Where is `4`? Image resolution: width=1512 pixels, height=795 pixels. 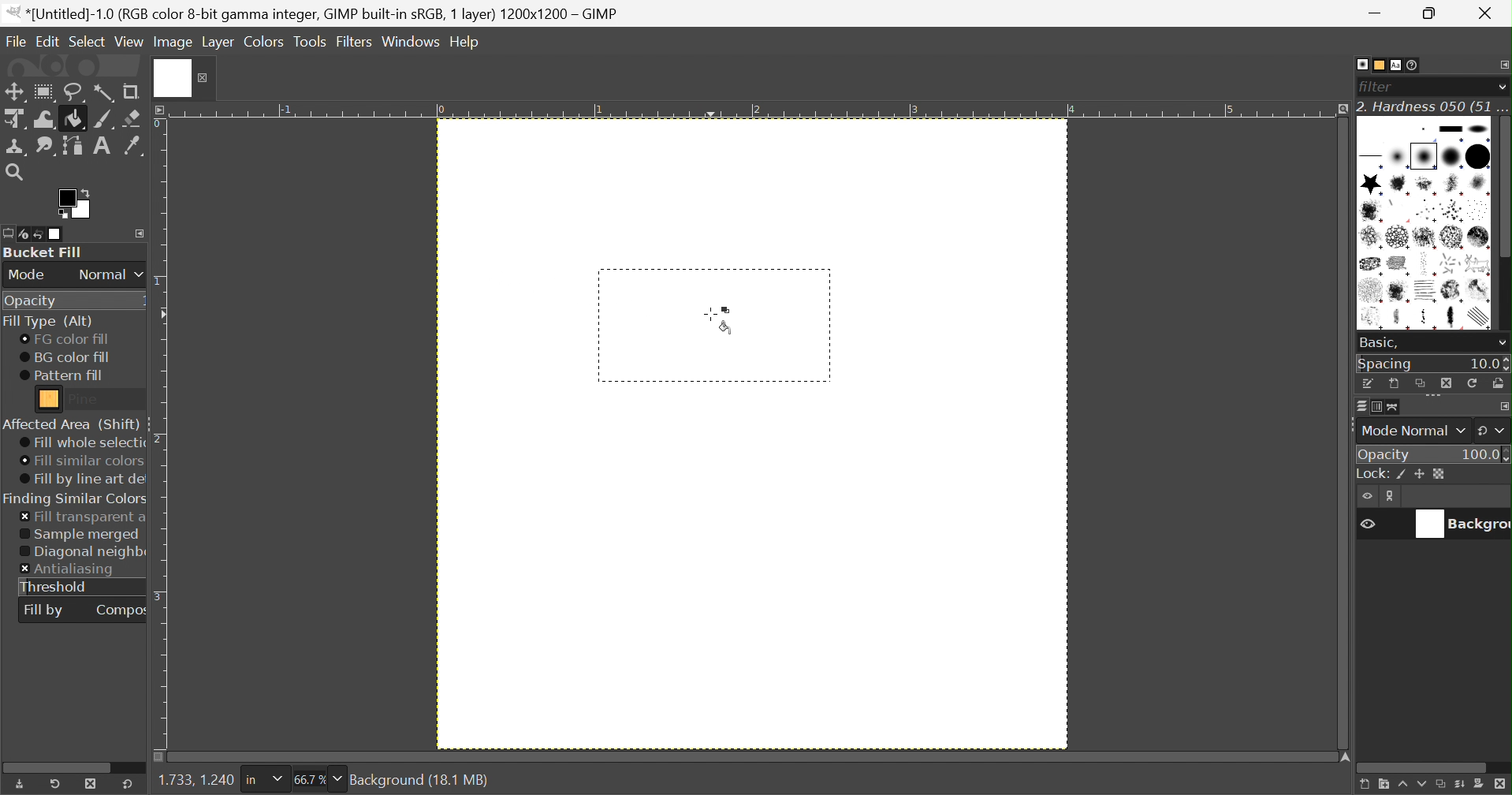
4 is located at coordinates (1071, 110).